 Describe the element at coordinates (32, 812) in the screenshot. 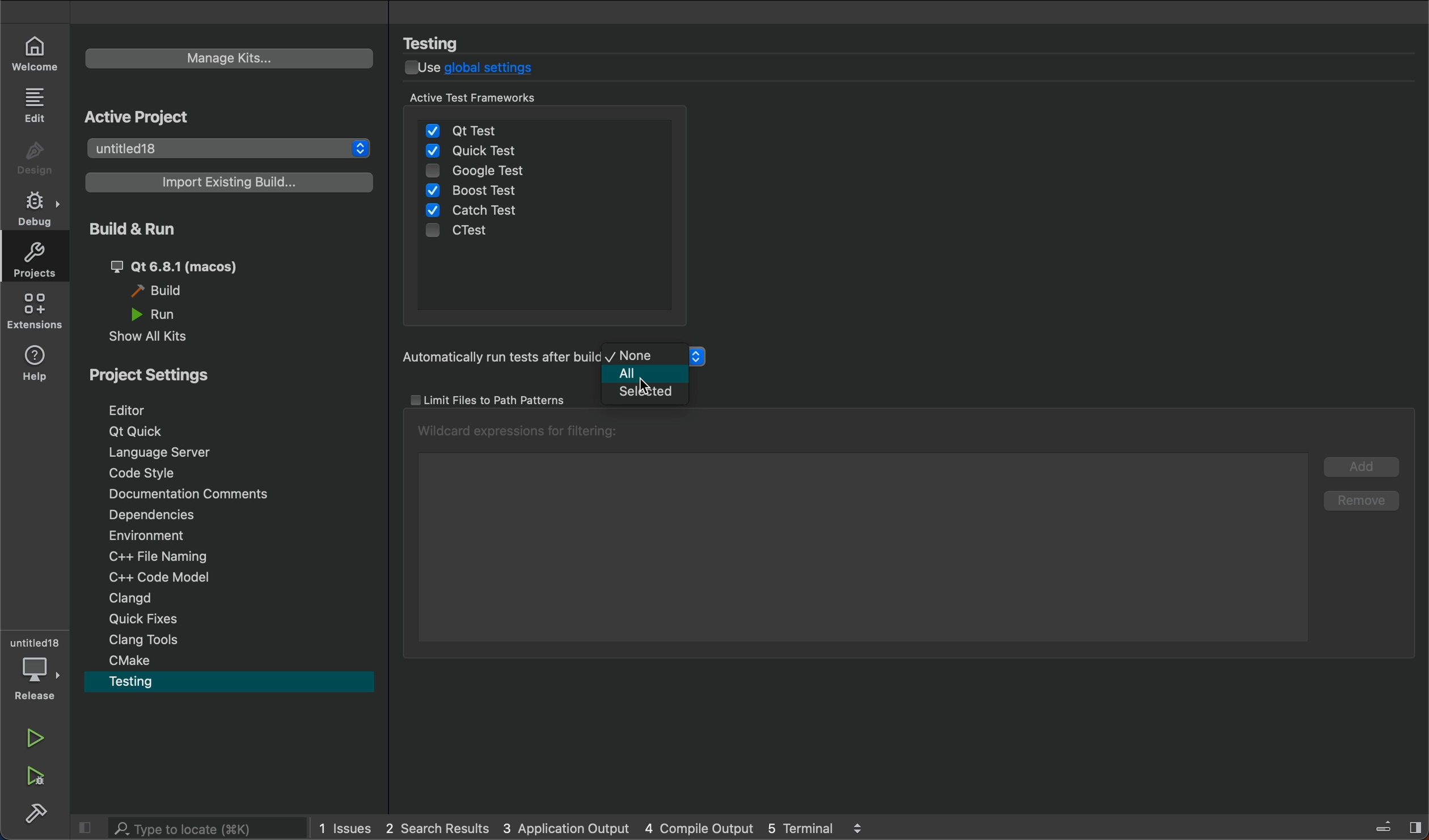

I see `BUILD` at that location.